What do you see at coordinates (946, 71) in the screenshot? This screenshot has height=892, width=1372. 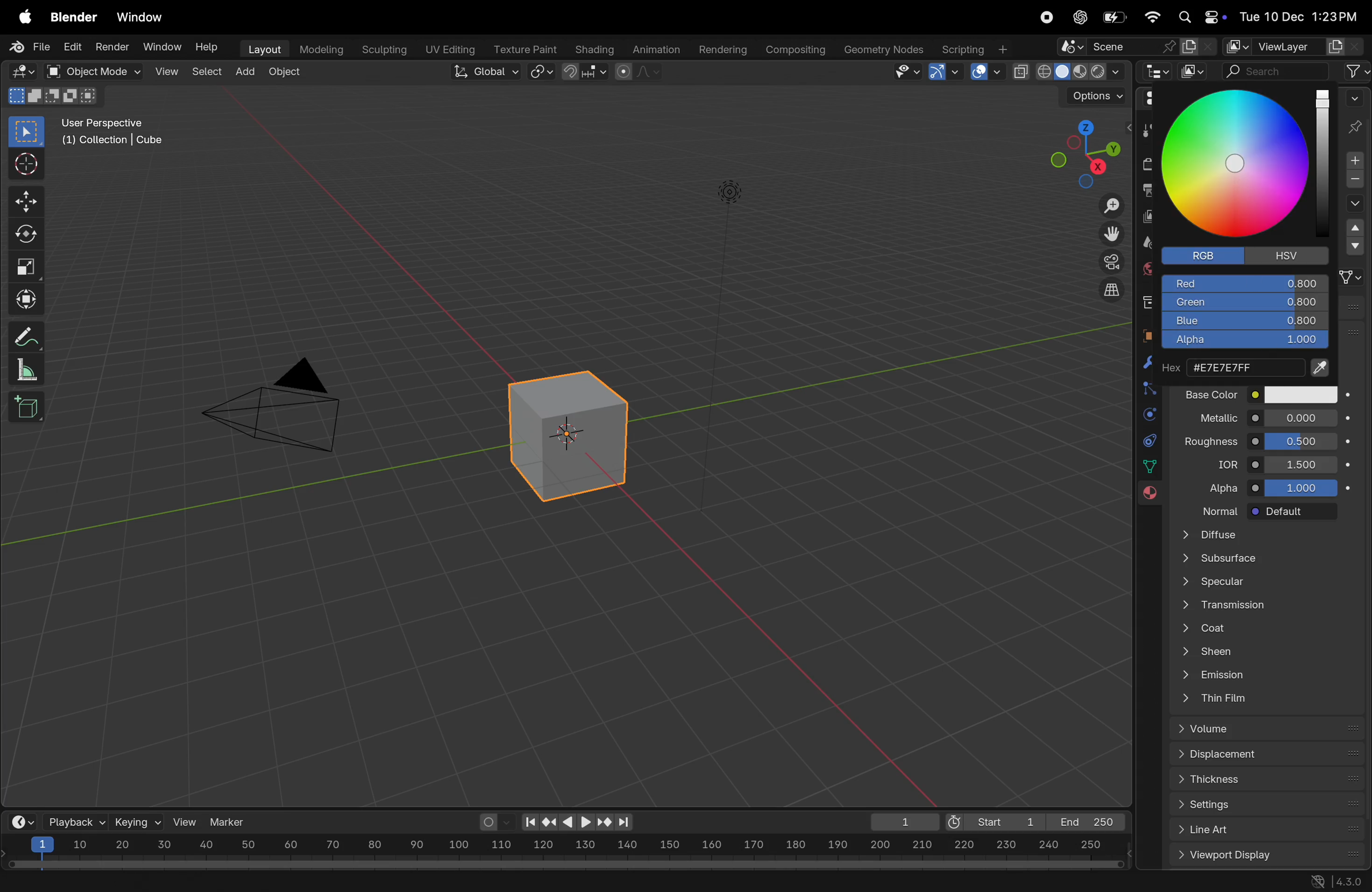 I see `show gimzo` at bounding box center [946, 71].